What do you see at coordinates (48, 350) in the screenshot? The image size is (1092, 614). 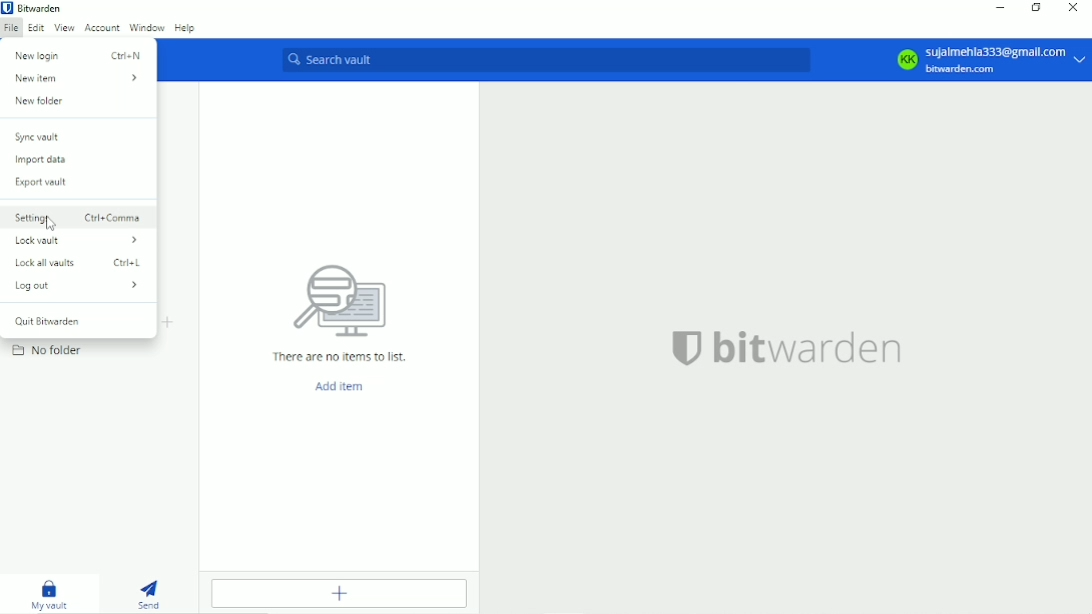 I see `No folder` at bounding box center [48, 350].